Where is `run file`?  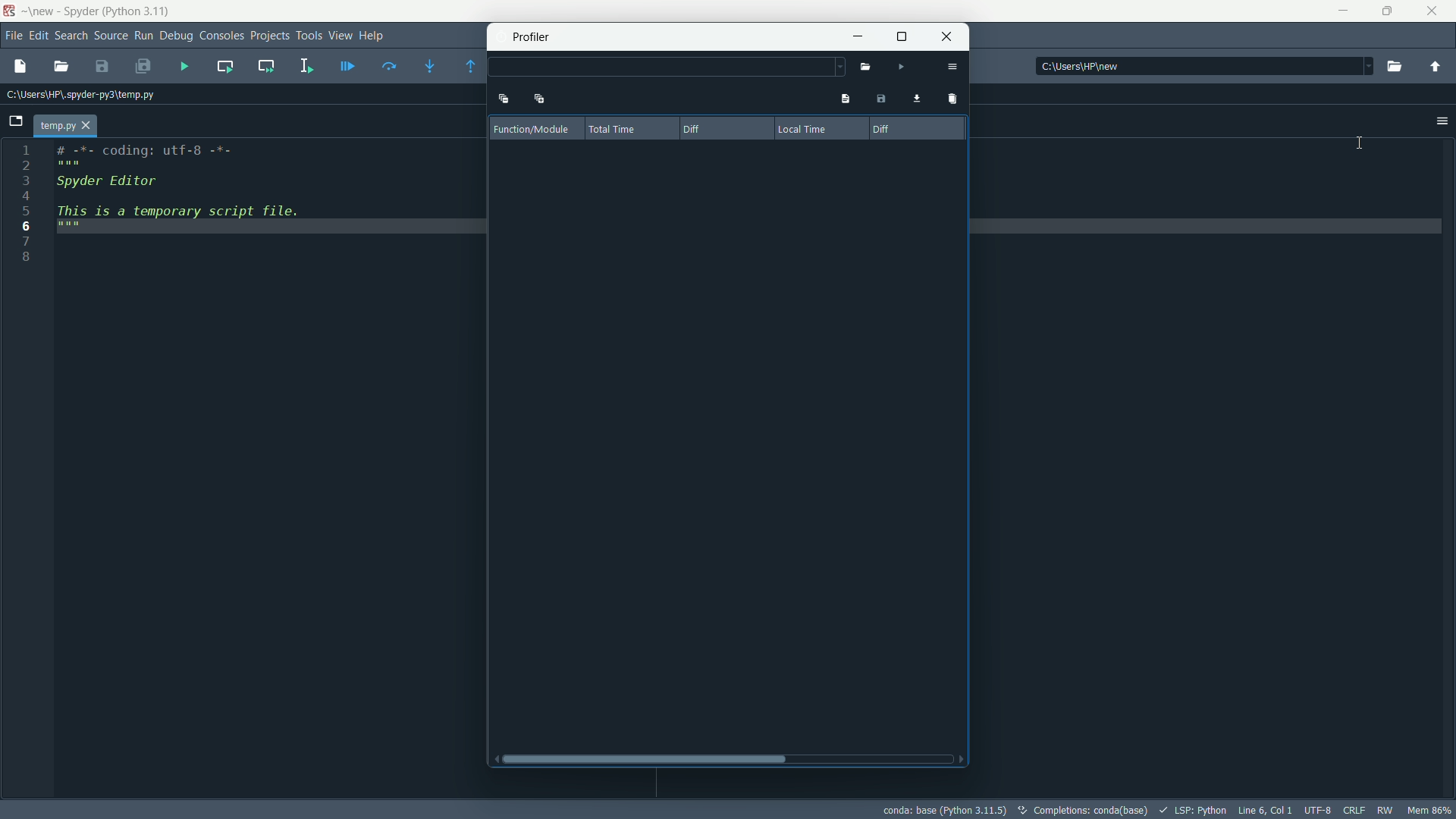 run file is located at coordinates (1395, 60).